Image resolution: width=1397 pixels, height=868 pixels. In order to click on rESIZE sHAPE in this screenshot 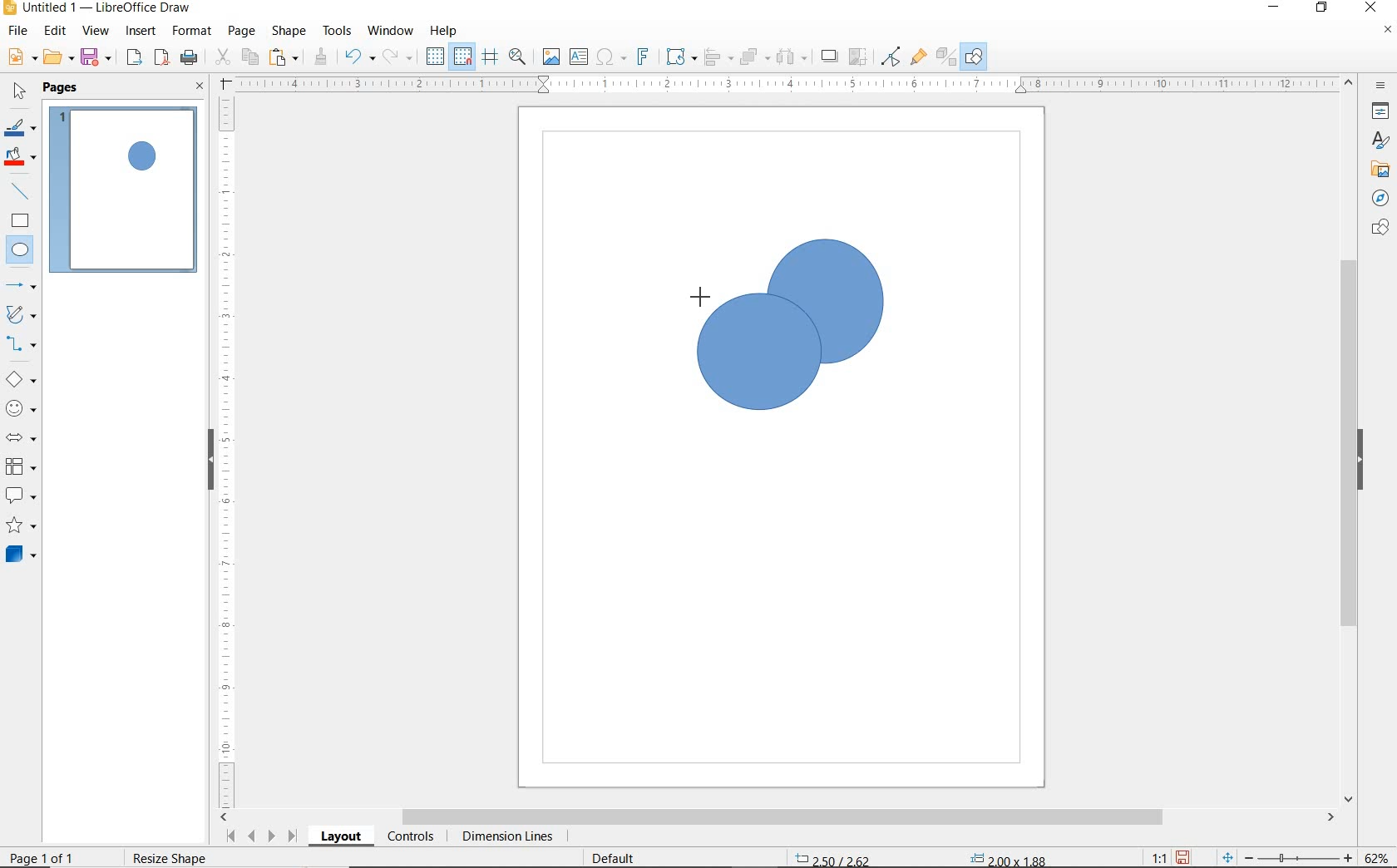, I will do `click(168, 857)`.